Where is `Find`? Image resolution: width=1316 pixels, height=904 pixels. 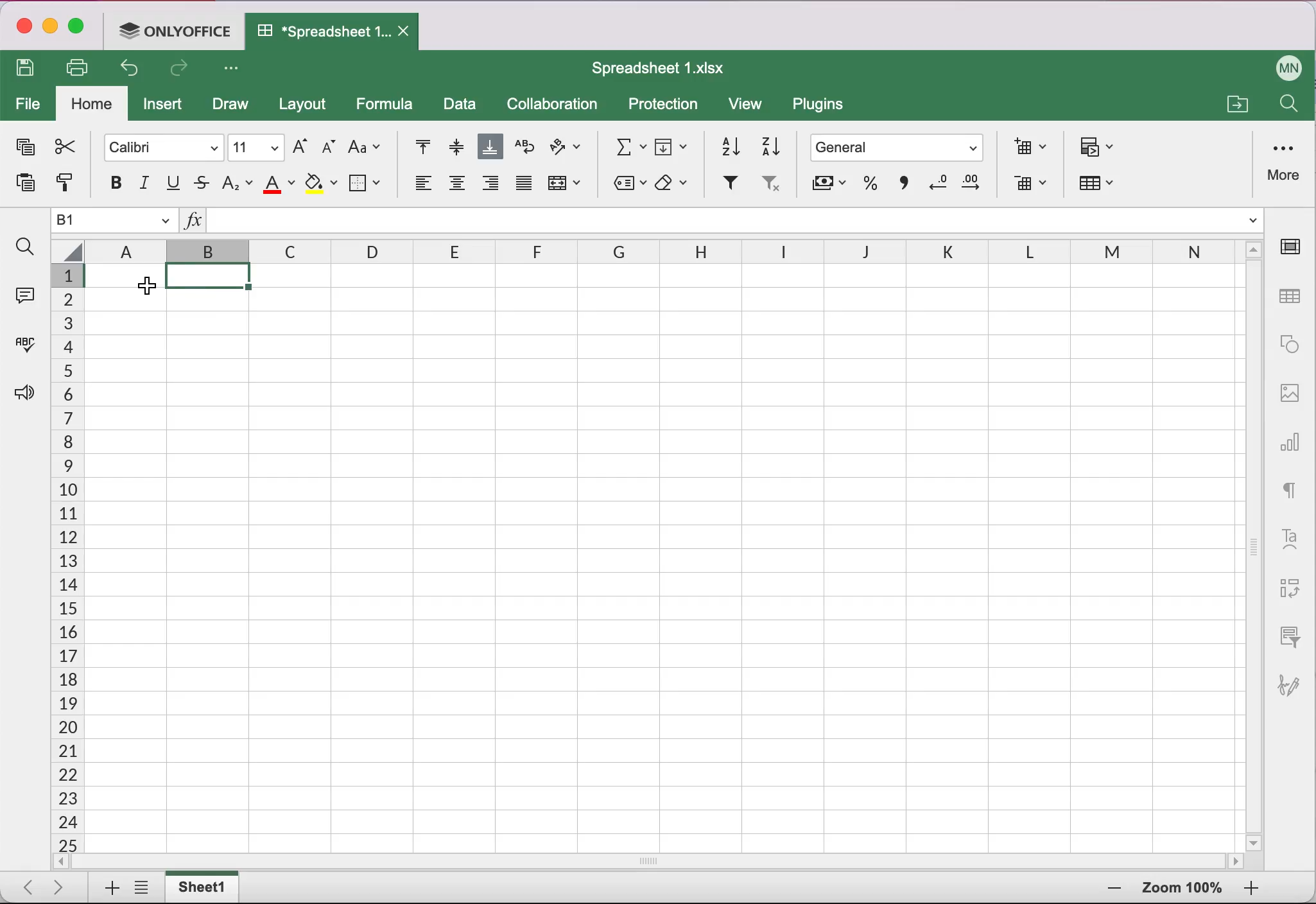
Find is located at coordinates (1287, 107).